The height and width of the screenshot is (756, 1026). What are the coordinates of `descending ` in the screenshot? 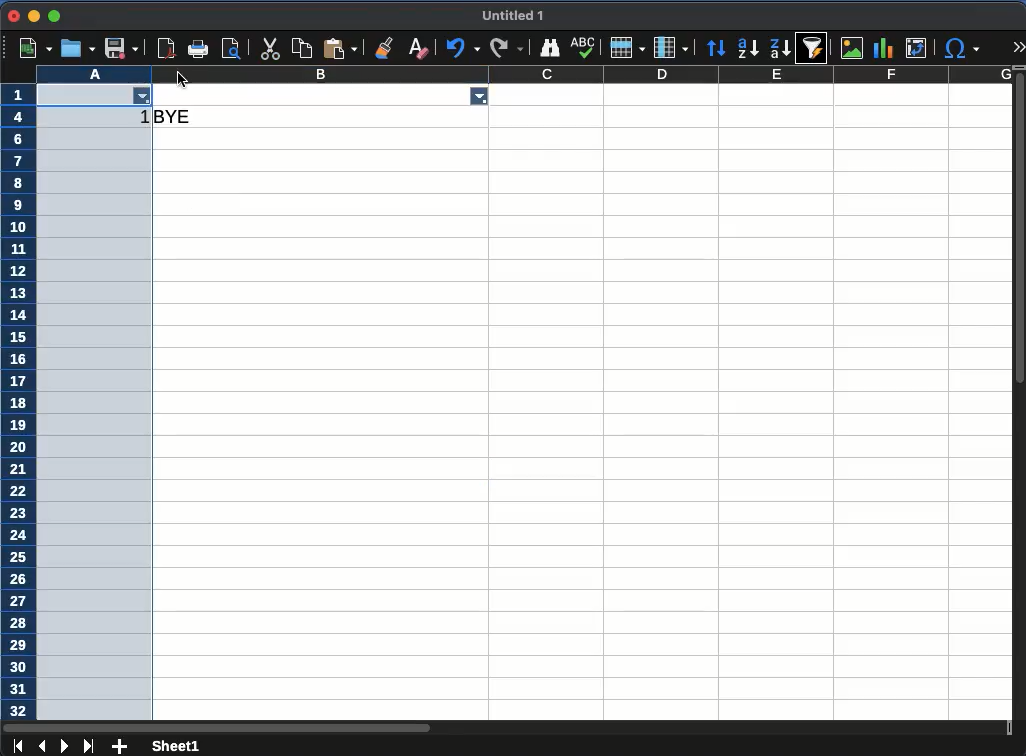 It's located at (782, 49).